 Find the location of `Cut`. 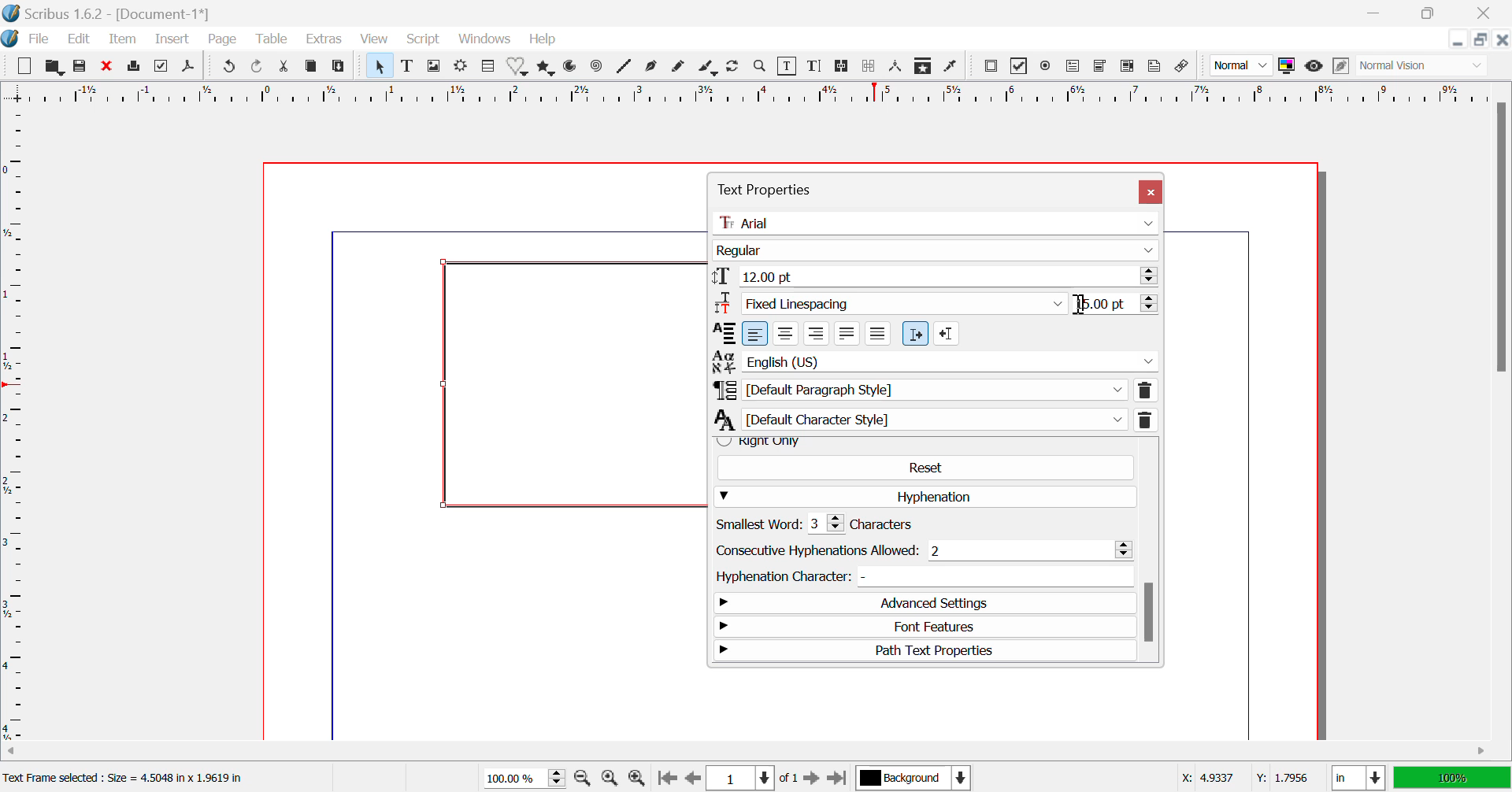

Cut is located at coordinates (284, 66).